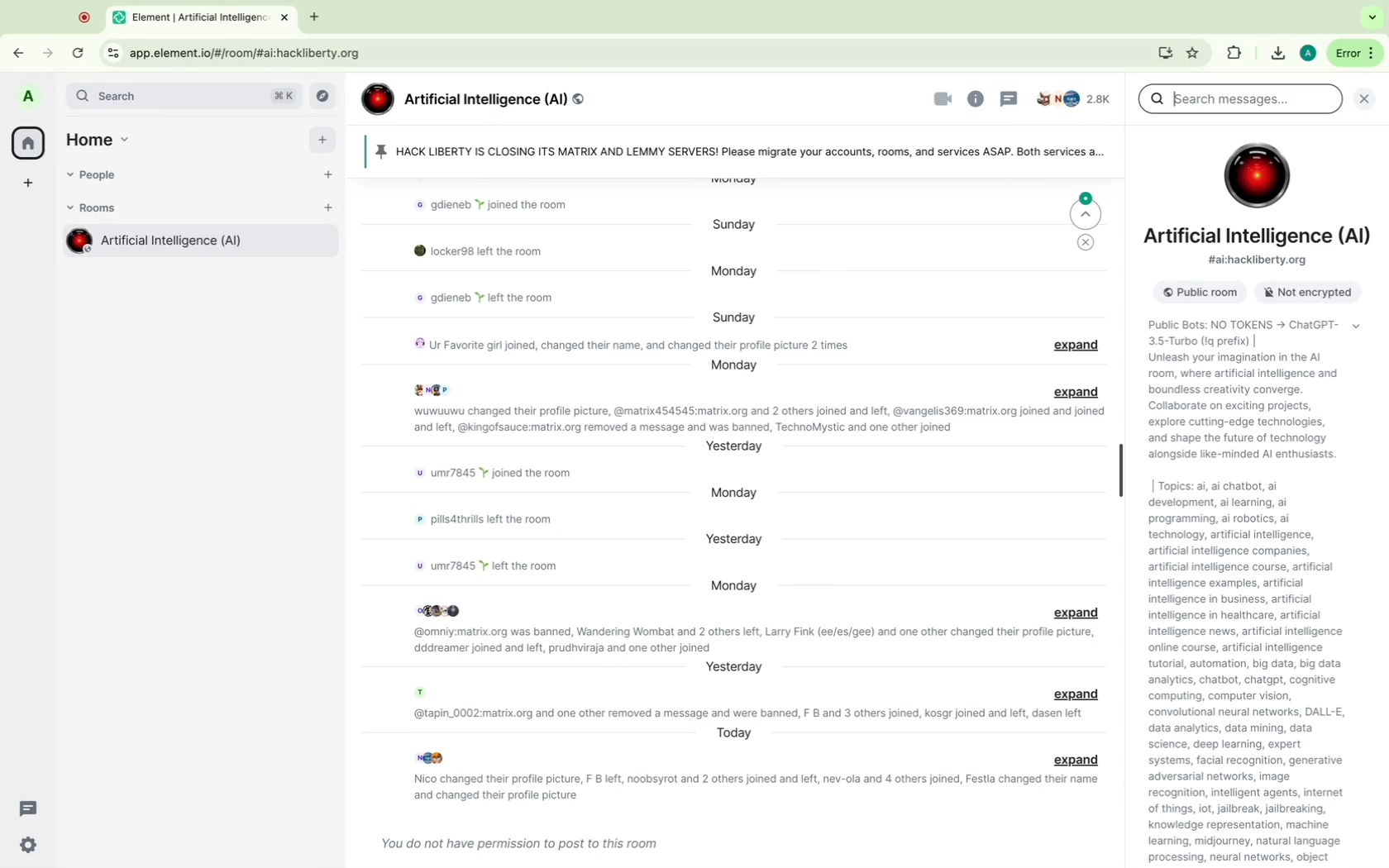  I want to click on expand, so click(1078, 393).